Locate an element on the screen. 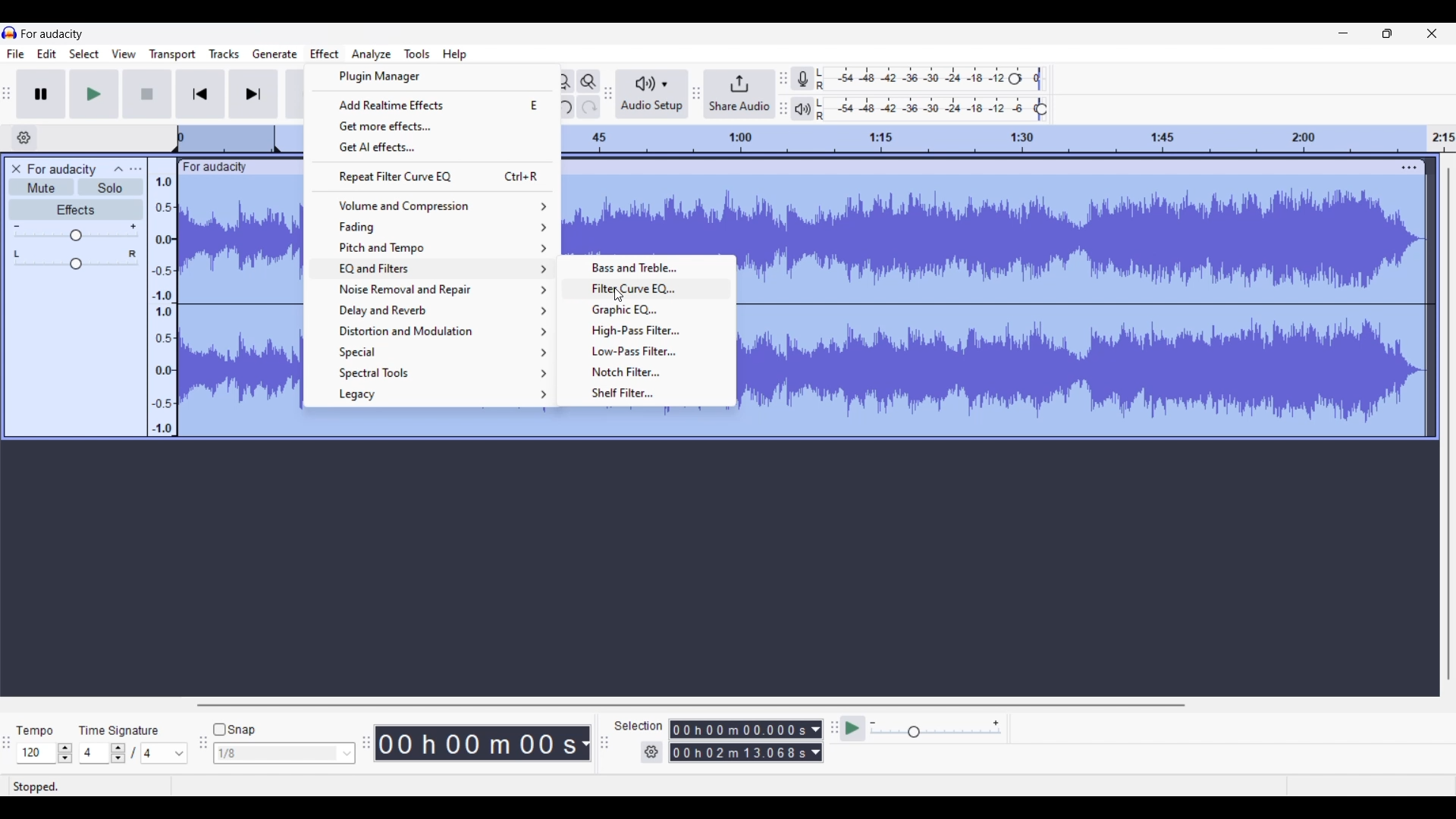 This screenshot has height=819, width=1456. Add realtime effects is located at coordinates (431, 105).